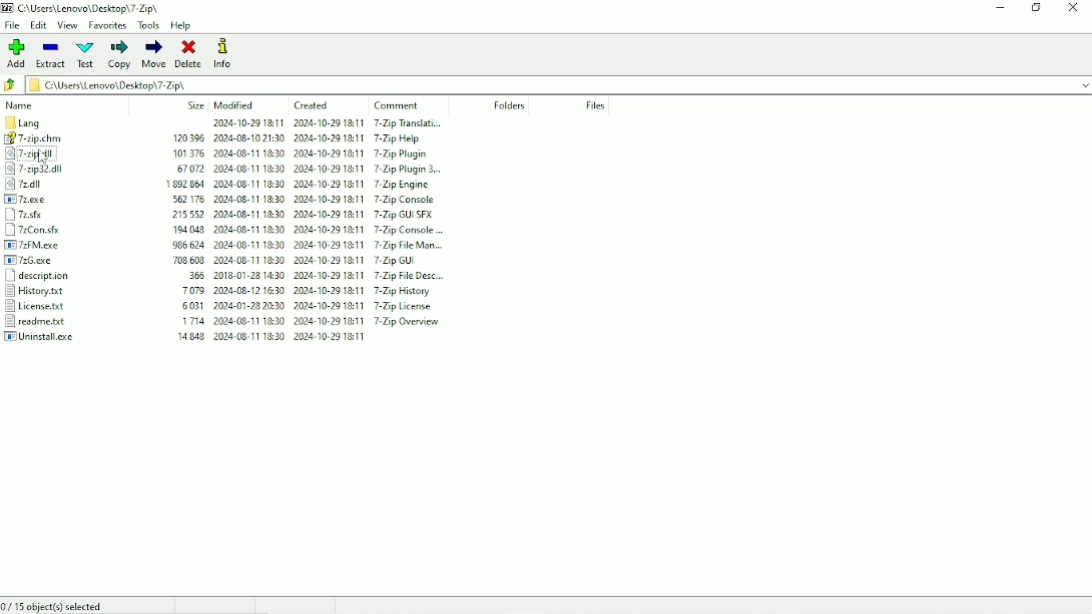  What do you see at coordinates (311, 106) in the screenshot?
I see `Created` at bounding box center [311, 106].